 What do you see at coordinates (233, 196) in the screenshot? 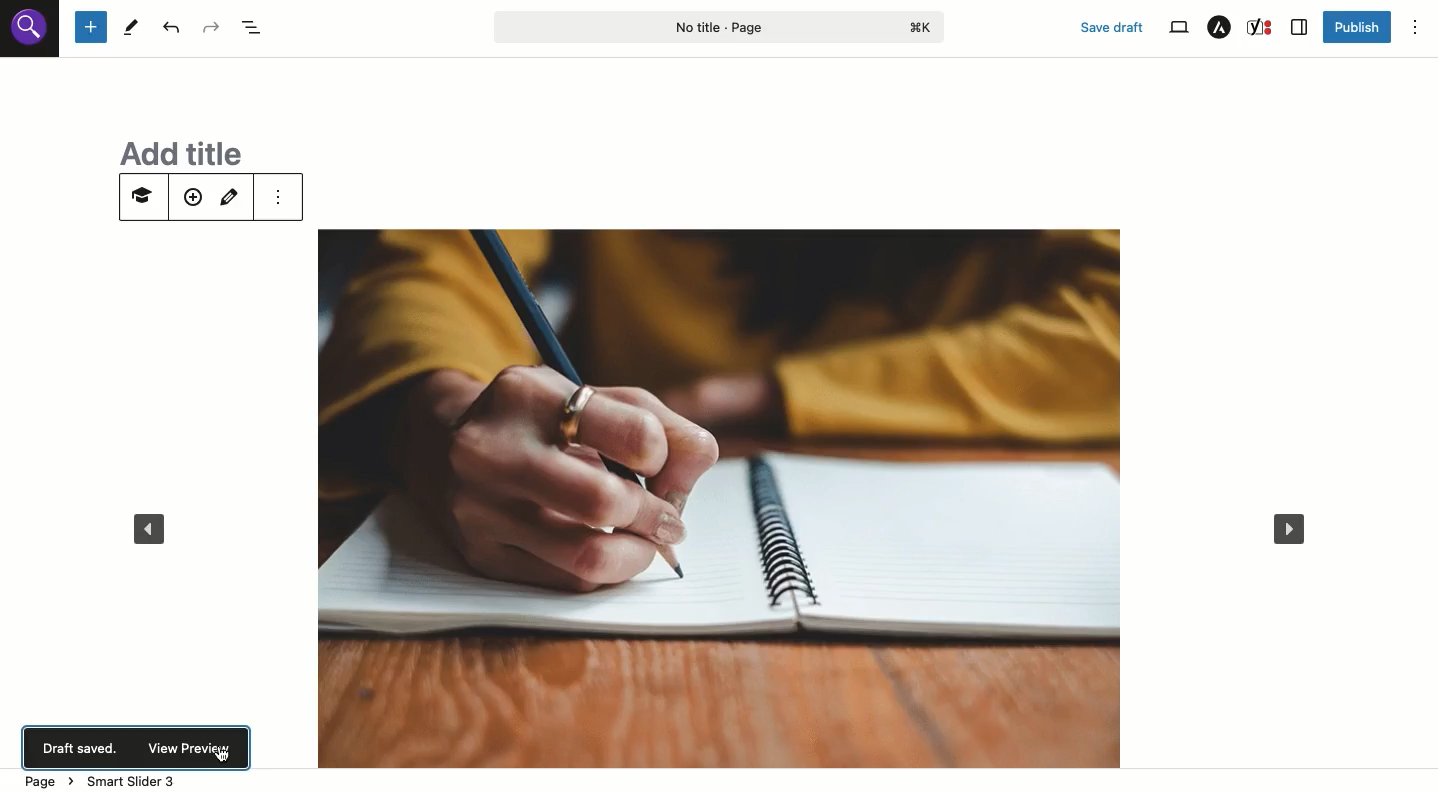
I see `edit` at bounding box center [233, 196].